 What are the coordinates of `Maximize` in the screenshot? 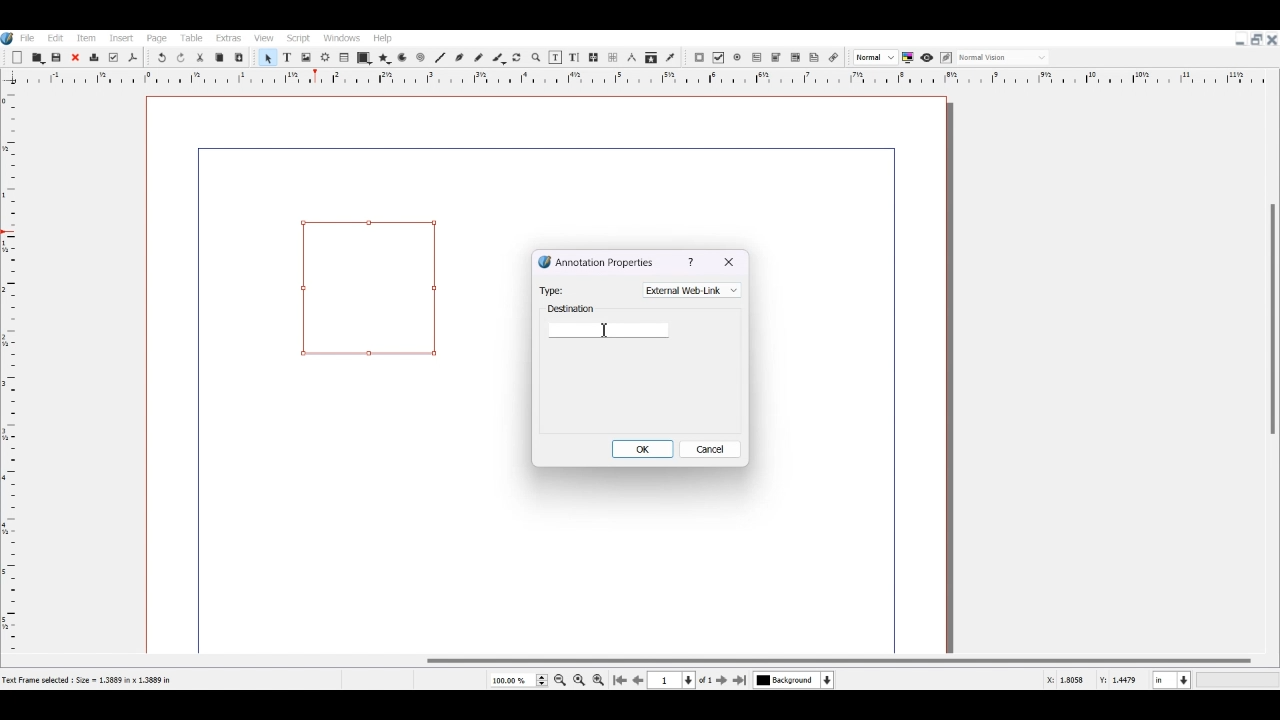 It's located at (1256, 38).